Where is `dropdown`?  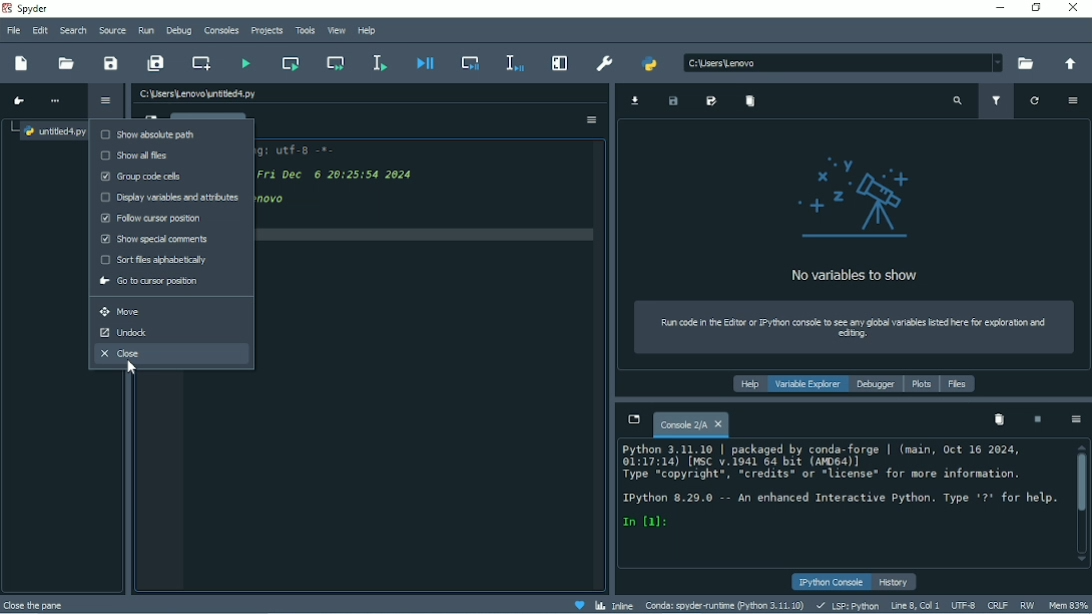 dropdown is located at coordinates (993, 64).